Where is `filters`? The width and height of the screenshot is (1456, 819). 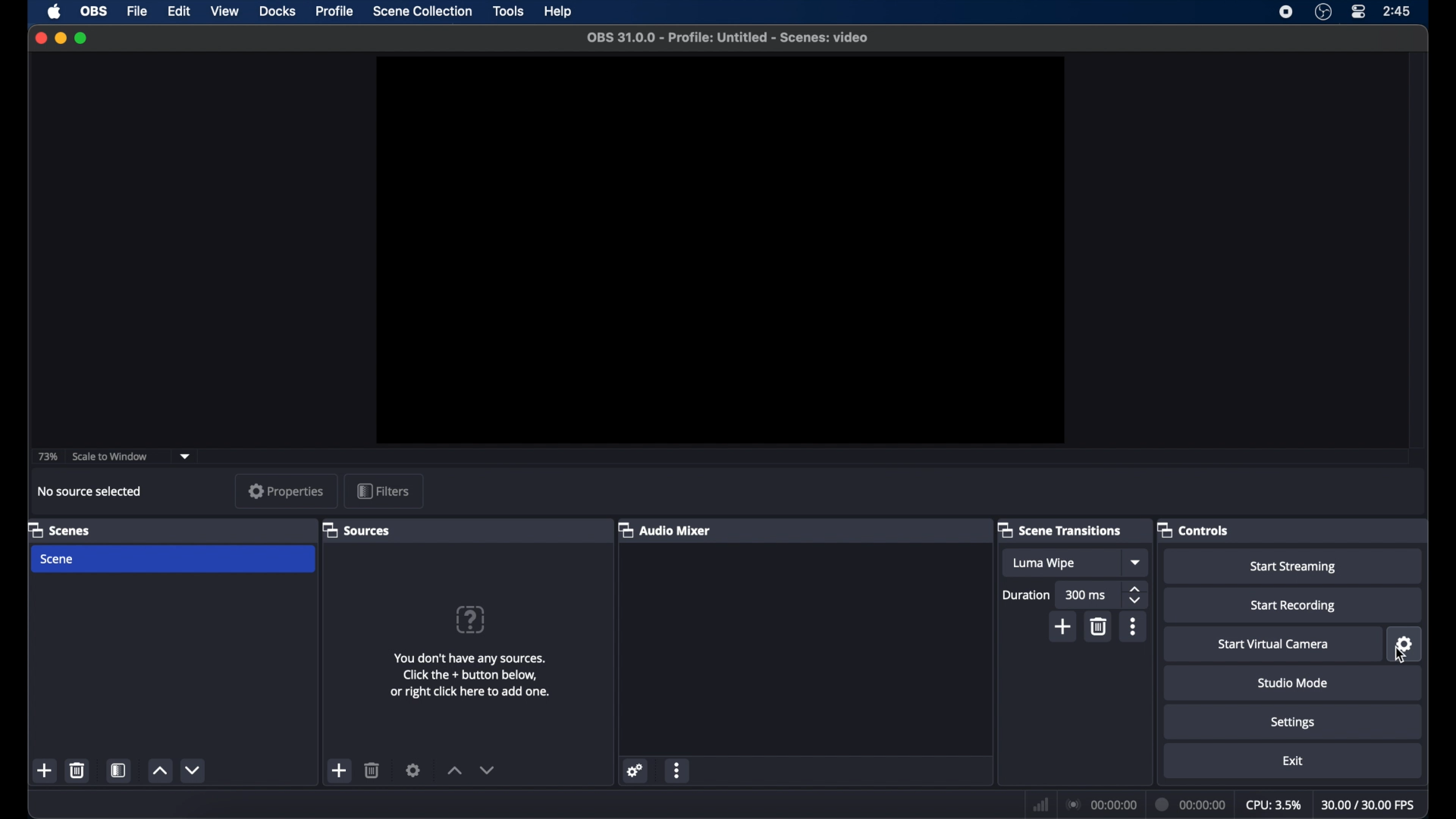
filters is located at coordinates (382, 491).